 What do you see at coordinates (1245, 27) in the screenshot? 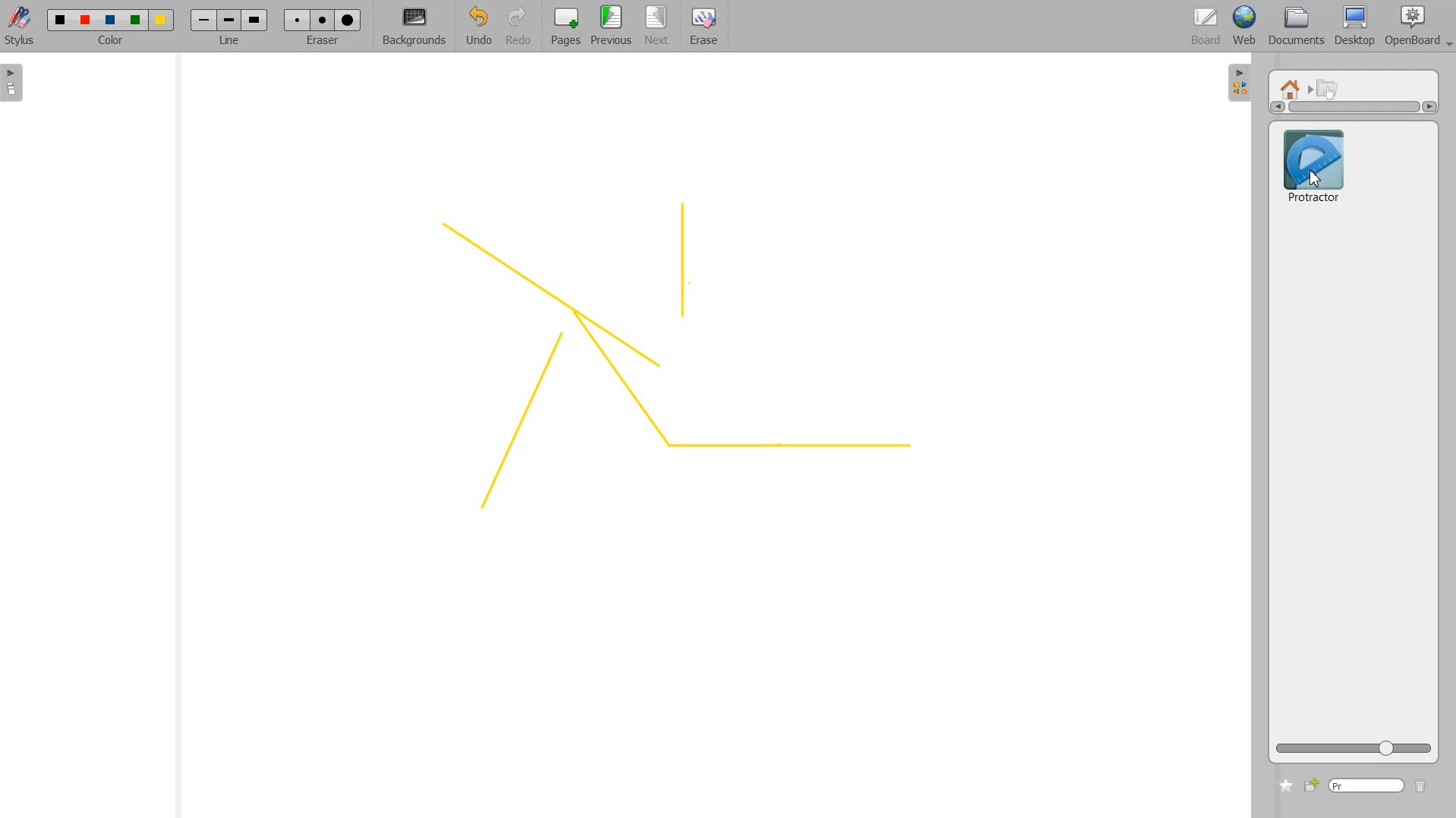
I see `Web` at bounding box center [1245, 27].